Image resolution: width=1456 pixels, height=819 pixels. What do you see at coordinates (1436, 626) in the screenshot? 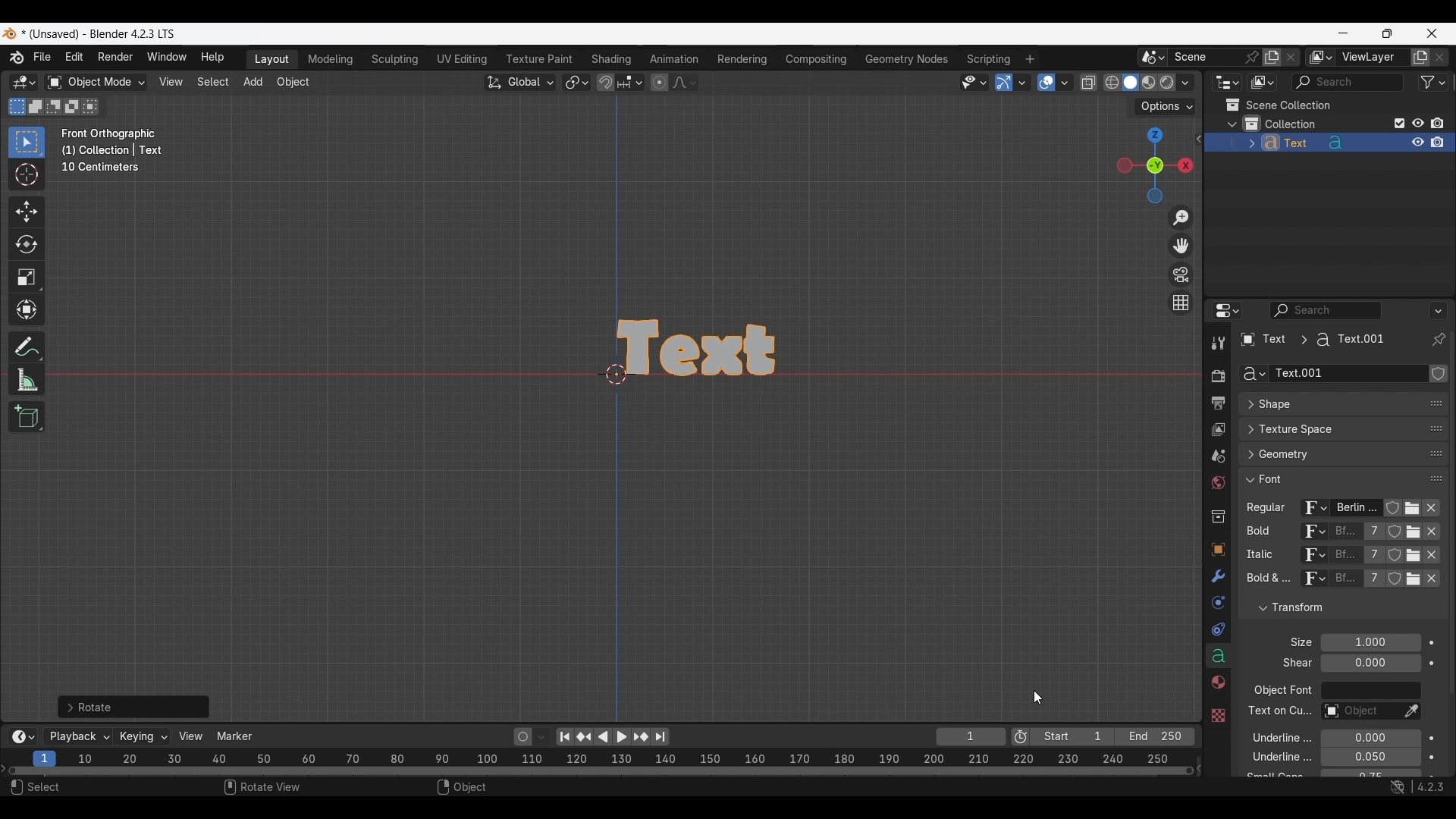
I see `Change order in the list` at bounding box center [1436, 626].